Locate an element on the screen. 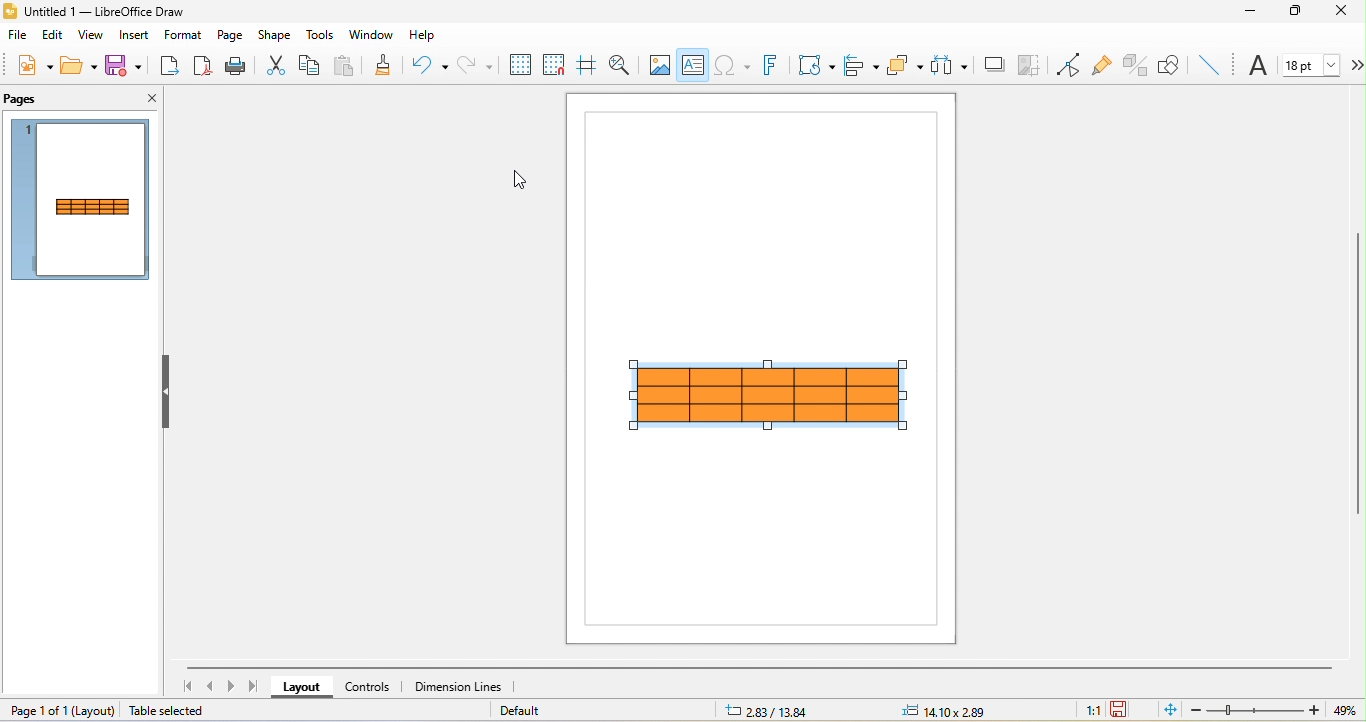 This screenshot has height=722, width=1366. view is located at coordinates (90, 36).